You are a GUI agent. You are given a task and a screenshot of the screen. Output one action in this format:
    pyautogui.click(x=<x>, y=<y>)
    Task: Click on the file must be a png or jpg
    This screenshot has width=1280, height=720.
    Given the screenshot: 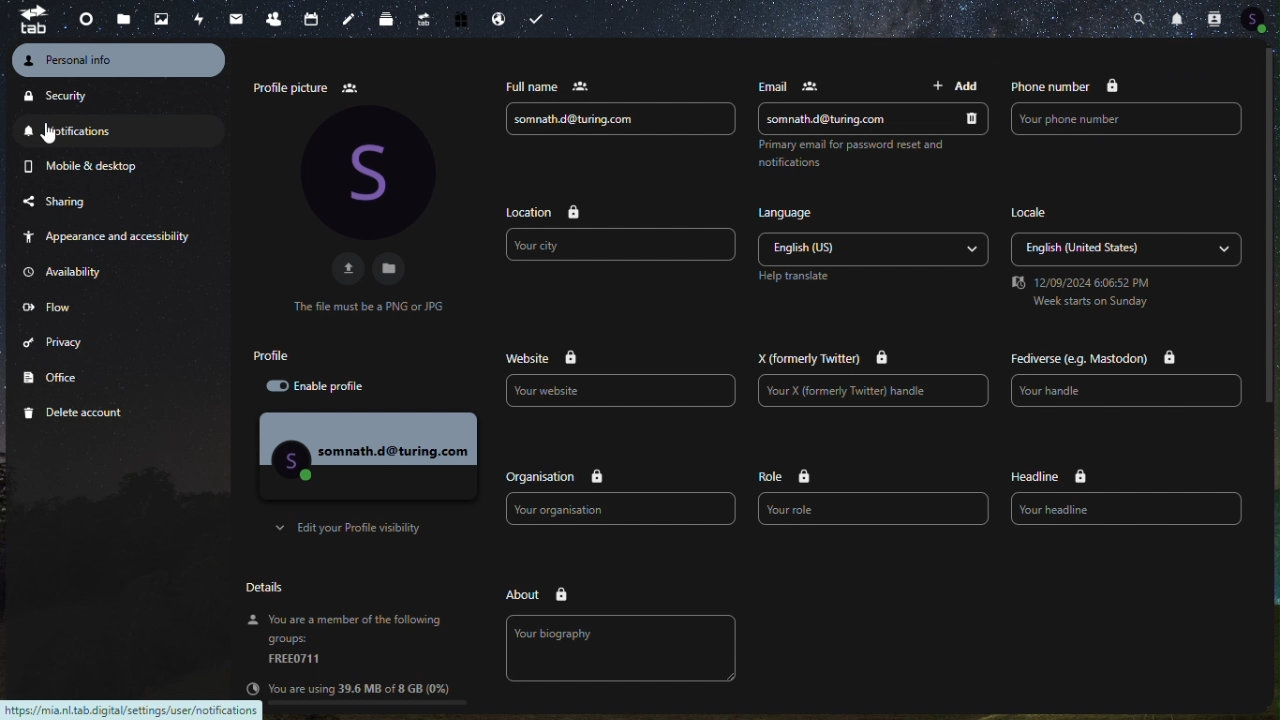 What is the action you would take?
    pyautogui.click(x=367, y=305)
    